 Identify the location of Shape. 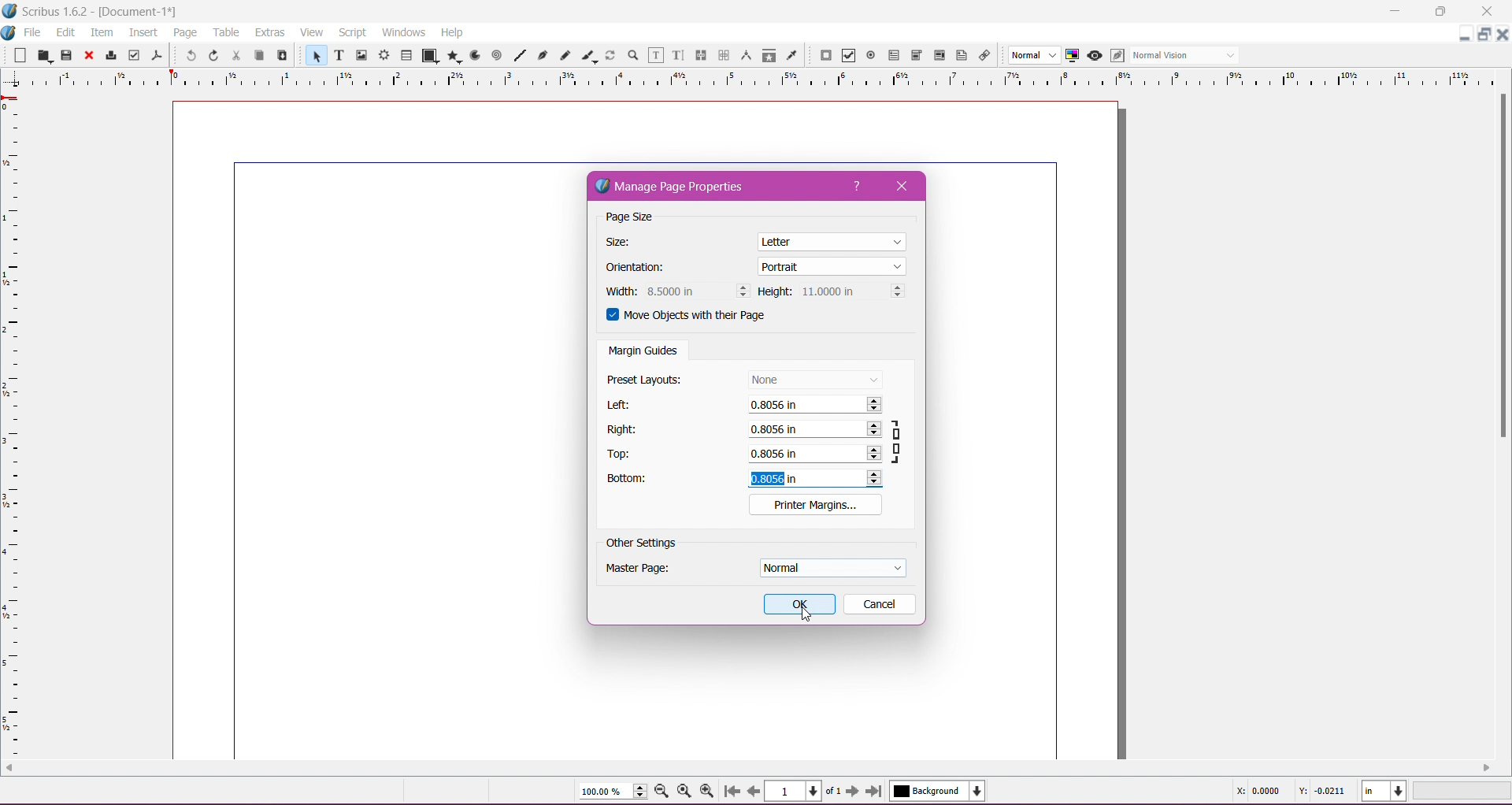
(427, 56).